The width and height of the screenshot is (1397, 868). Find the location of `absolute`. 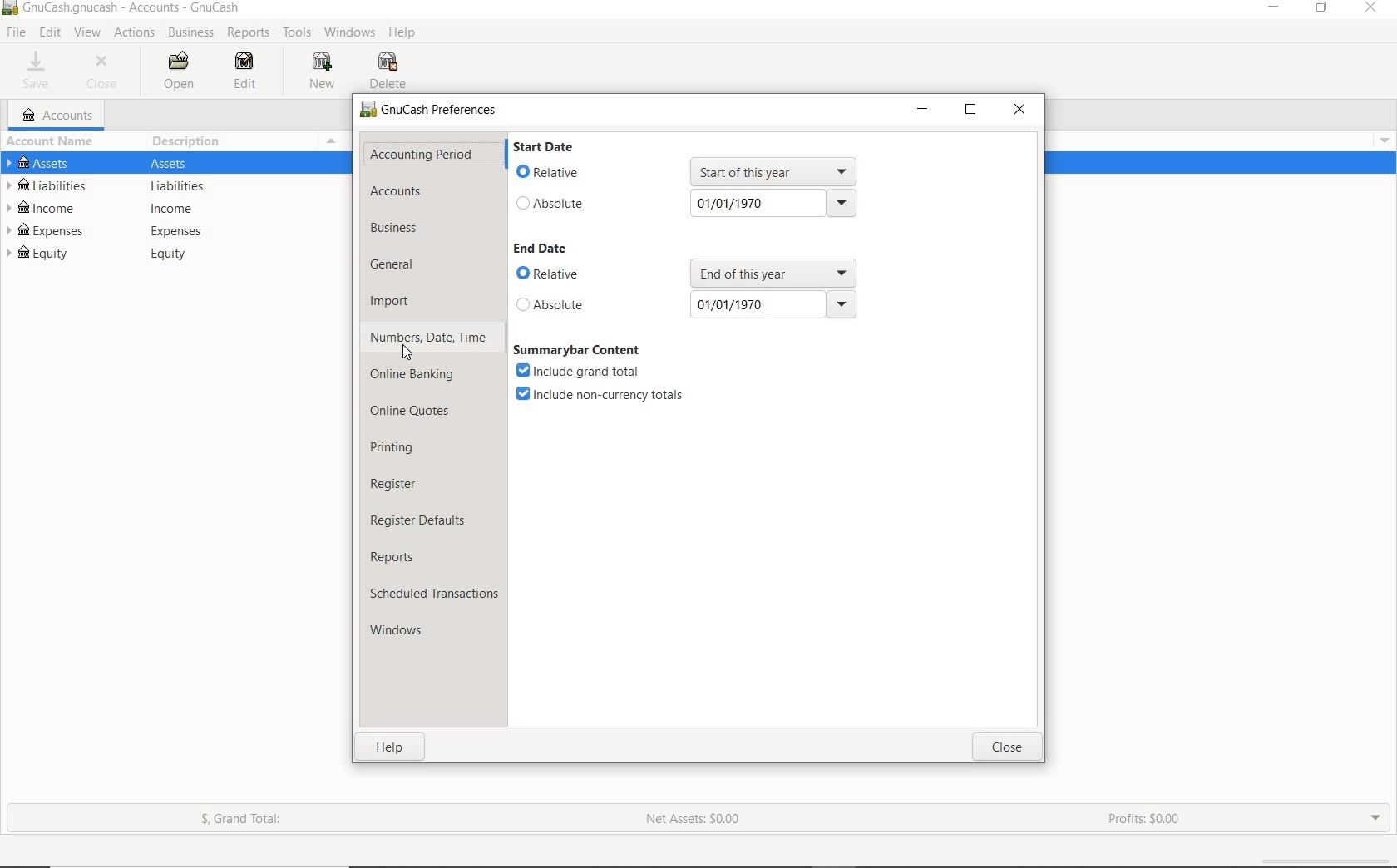

absolute is located at coordinates (556, 204).